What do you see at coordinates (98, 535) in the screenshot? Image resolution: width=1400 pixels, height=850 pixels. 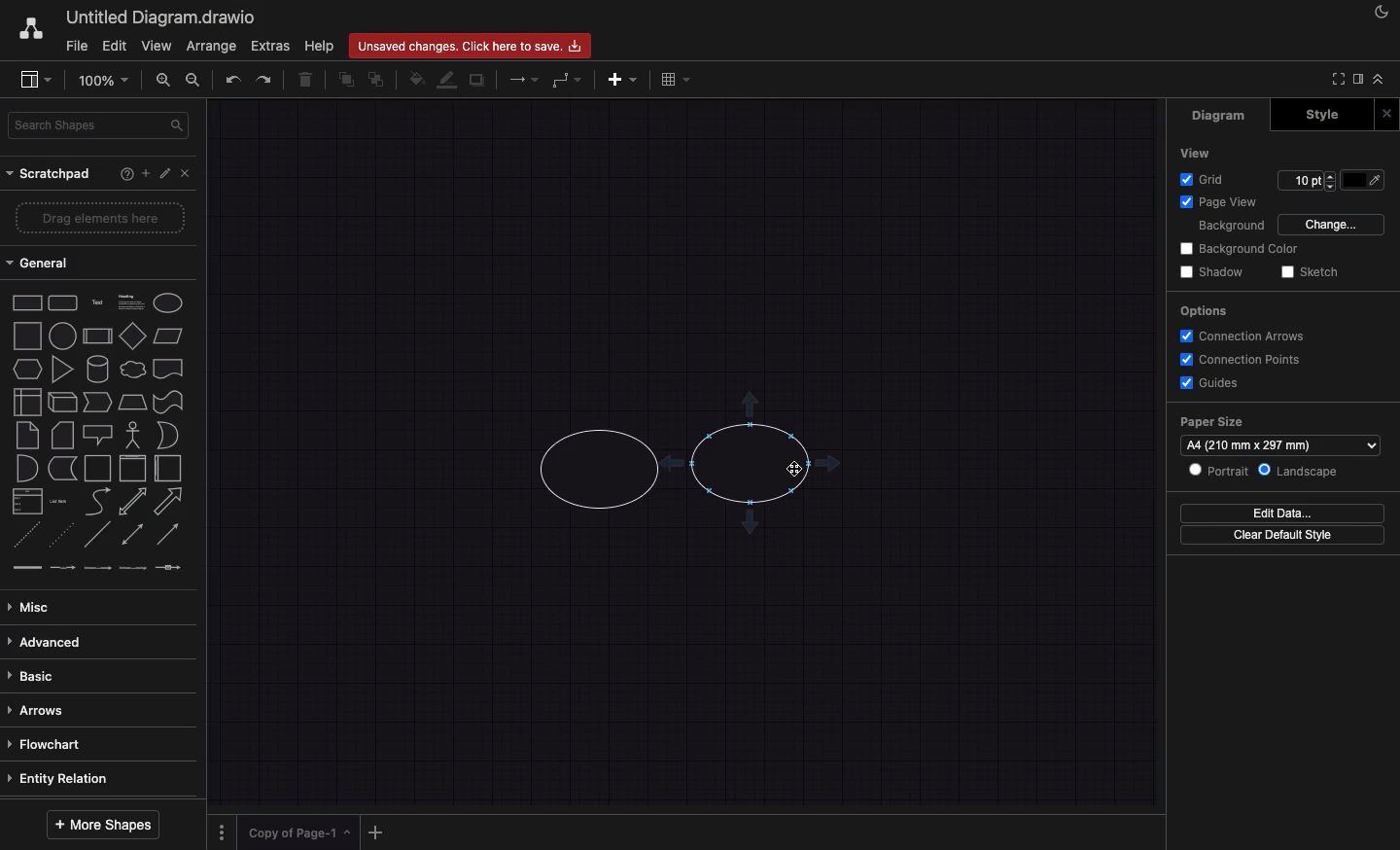 I see `line` at bounding box center [98, 535].